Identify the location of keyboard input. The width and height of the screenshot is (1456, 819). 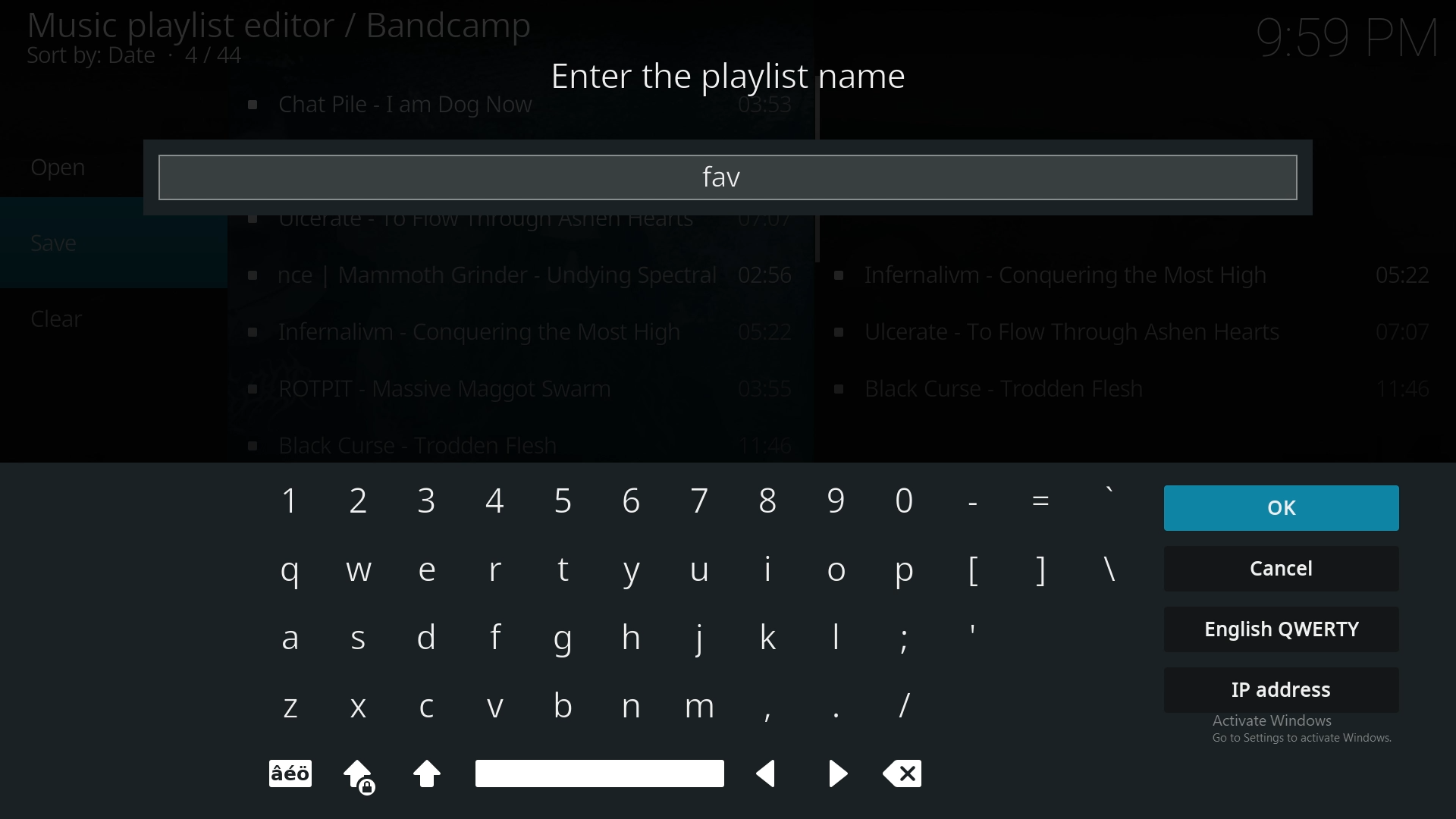
(834, 574).